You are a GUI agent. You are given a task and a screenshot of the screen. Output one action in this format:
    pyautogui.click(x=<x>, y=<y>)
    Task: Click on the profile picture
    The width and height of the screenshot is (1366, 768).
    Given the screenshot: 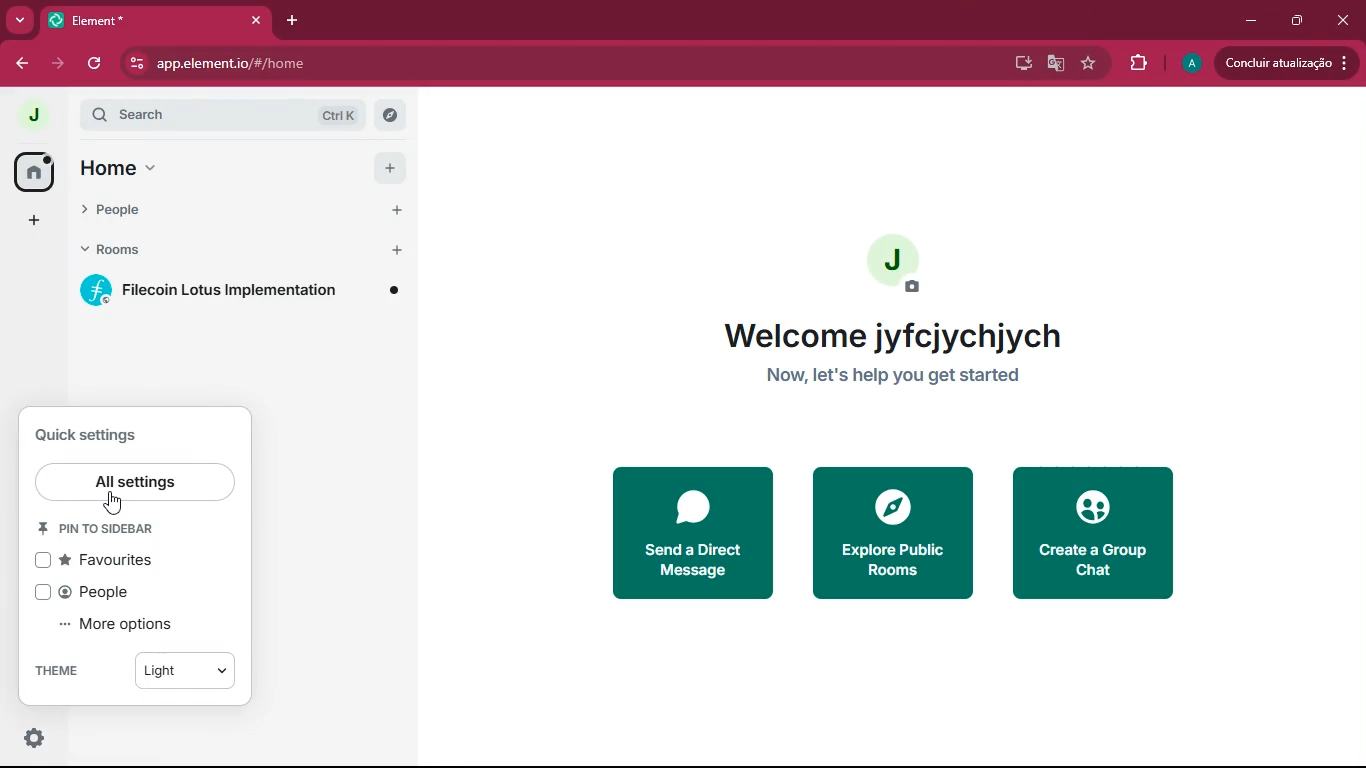 What is the action you would take?
    pyautogui.click(x=1188, y=63)
    